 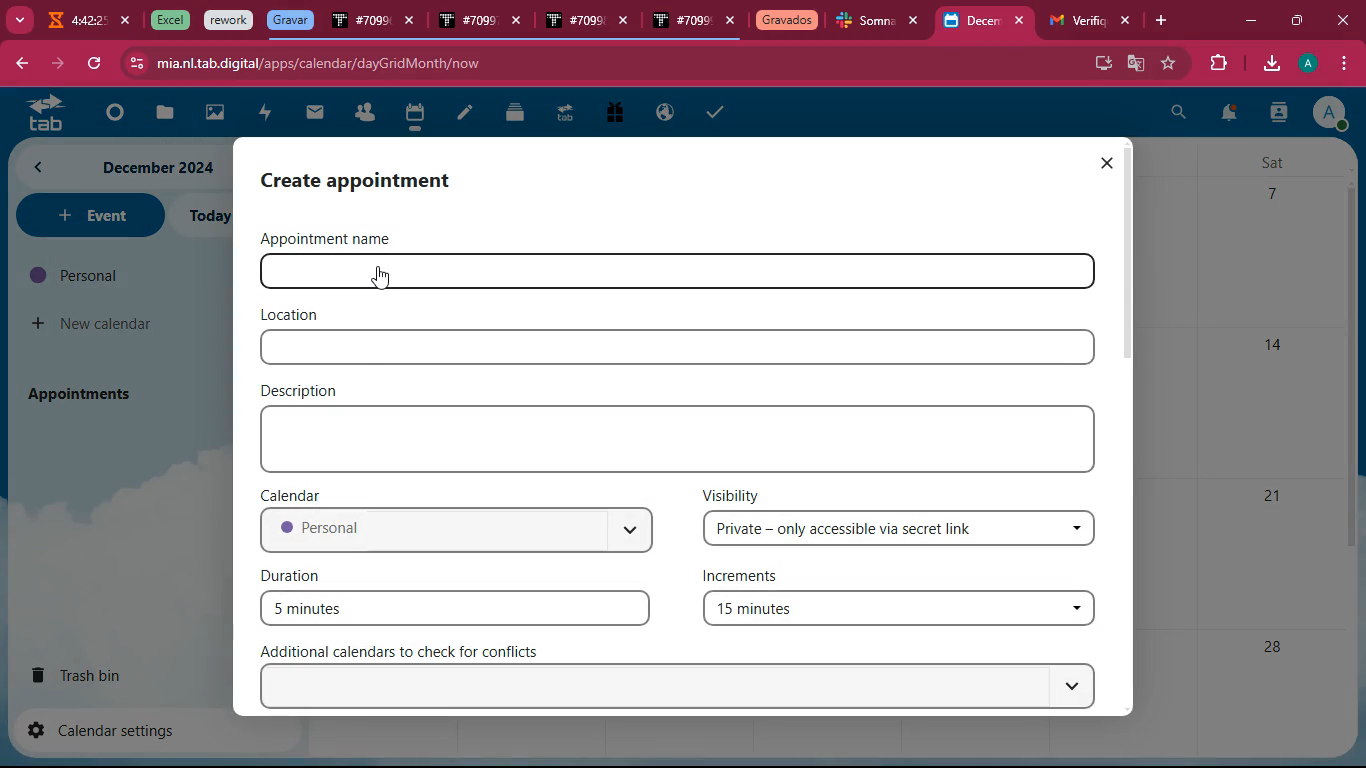 What do you see at coordinates (564, 116) in the screenshot?
I see `tab` at bounding box center [564, 116].